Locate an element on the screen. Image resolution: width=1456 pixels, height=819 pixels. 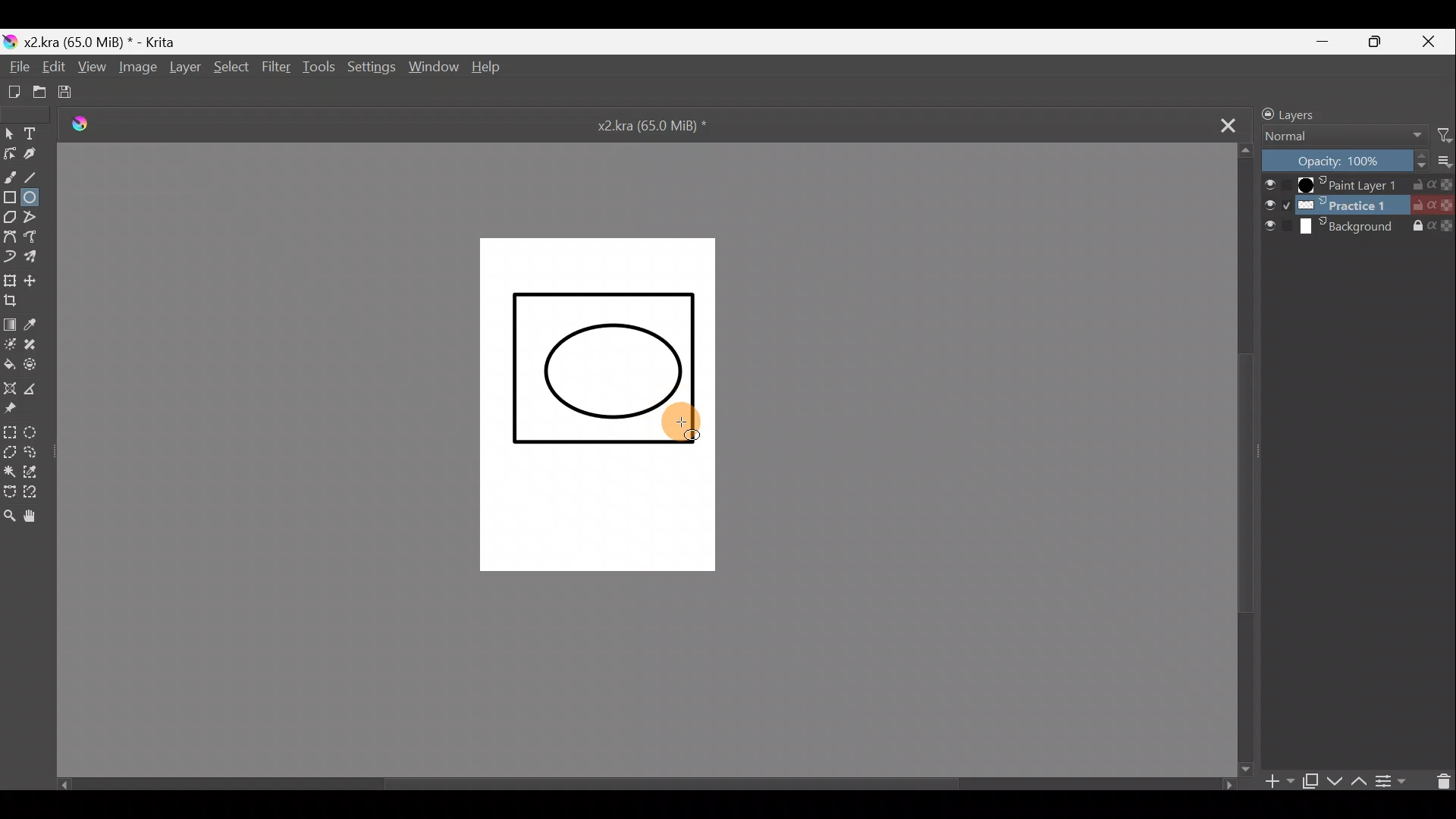
Measure distance between two points is located at coordinates (35, 388).